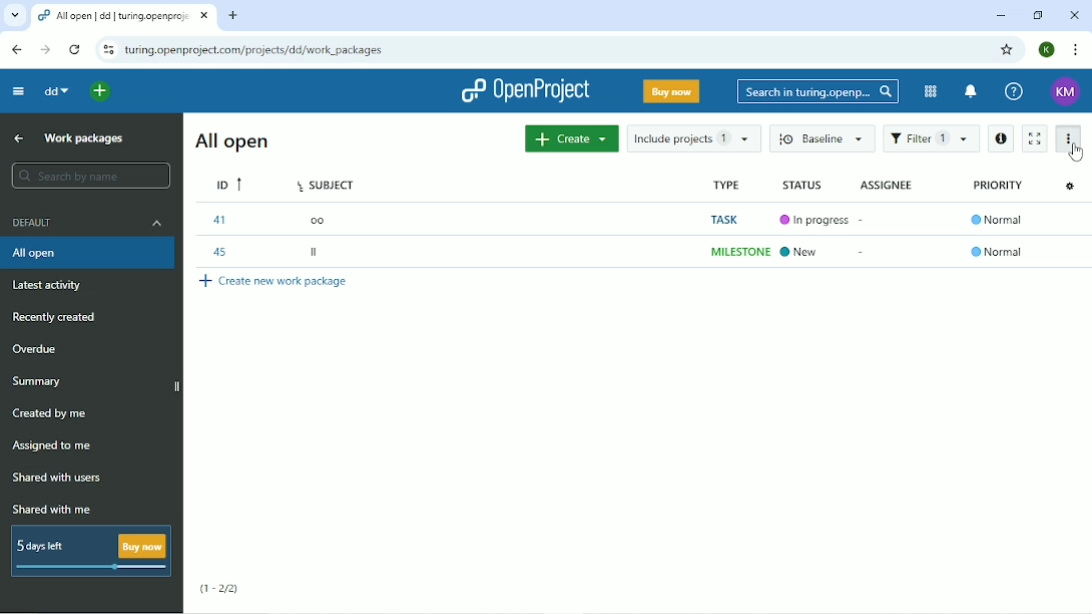 The height and width of the screenshot is (614, 1092). Describe the element at coordinates (1074, 50) in the screenshot. I see `Customize and control google chrome` at that location.